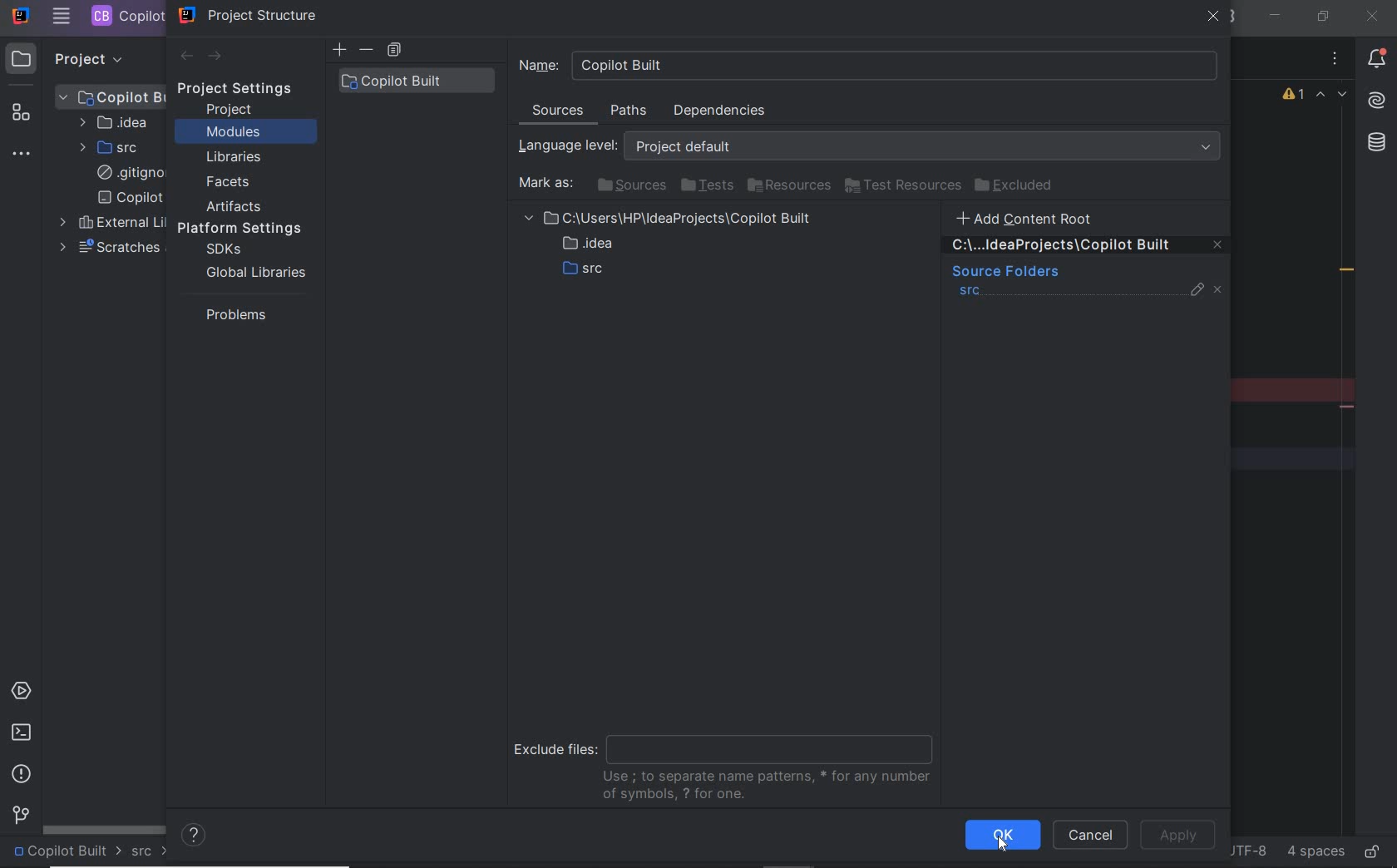 The width and height of the screenshot is (1397, 868). Describe the element at coordinates (21, 732) in the screenshot. I see `terminal` at that location.